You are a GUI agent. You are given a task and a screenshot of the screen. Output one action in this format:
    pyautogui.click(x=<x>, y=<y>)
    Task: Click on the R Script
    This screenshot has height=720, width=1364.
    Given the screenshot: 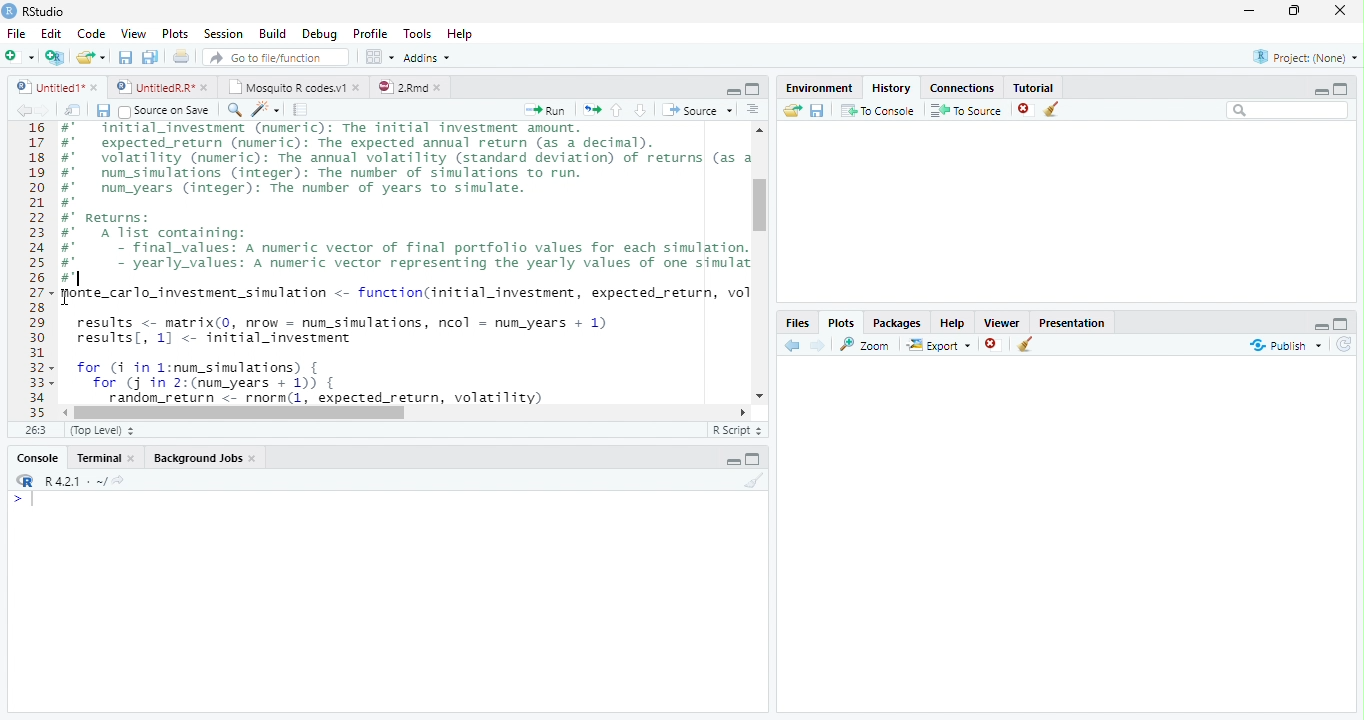 What is the action you would take?
    pyautogui.click(x=737, y=430)
    